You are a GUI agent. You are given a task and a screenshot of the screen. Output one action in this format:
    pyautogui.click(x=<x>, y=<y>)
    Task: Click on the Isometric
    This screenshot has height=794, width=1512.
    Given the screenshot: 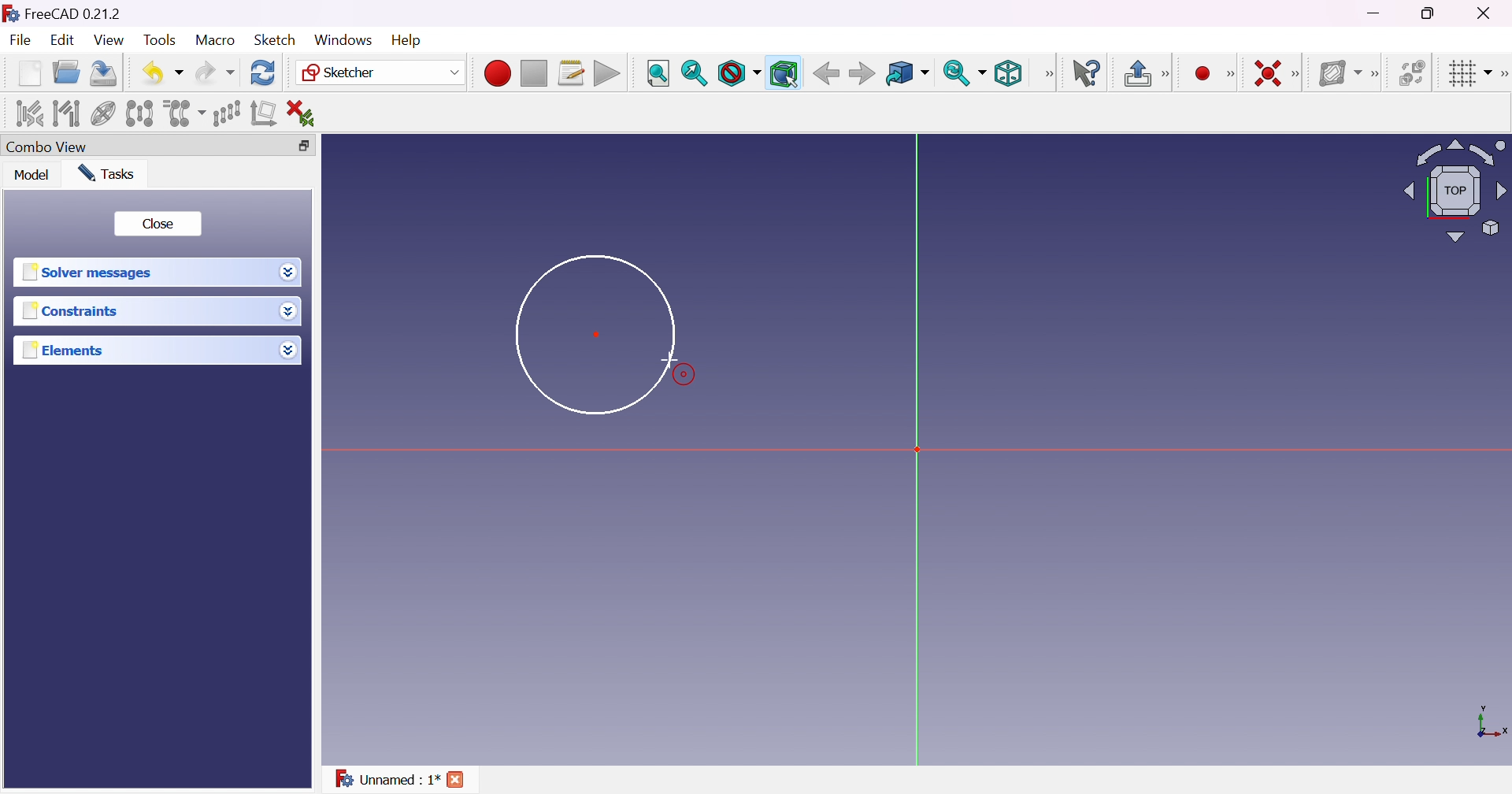 What is the action you would take?
    pyautogui.click(x=1008, y=74)
    